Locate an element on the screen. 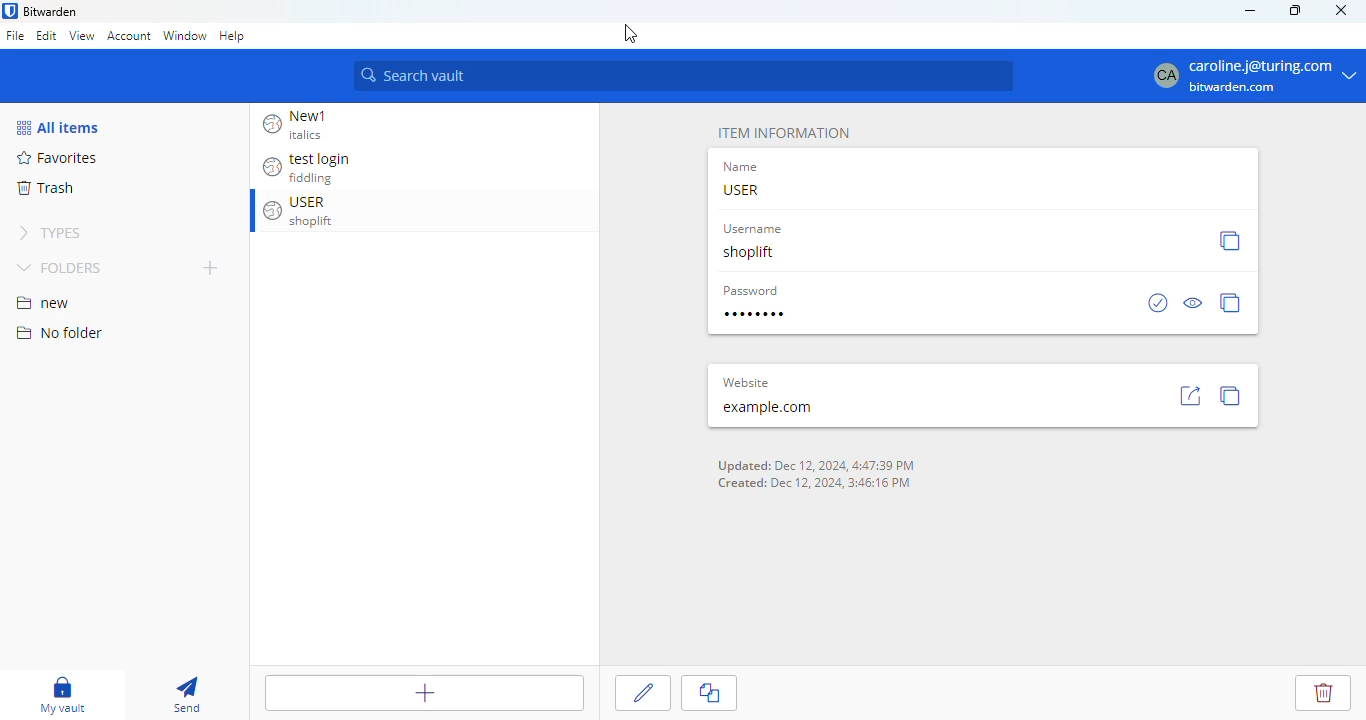 This screenshot has height=720, width=1366. no folder is located at coordinates (58, 333).